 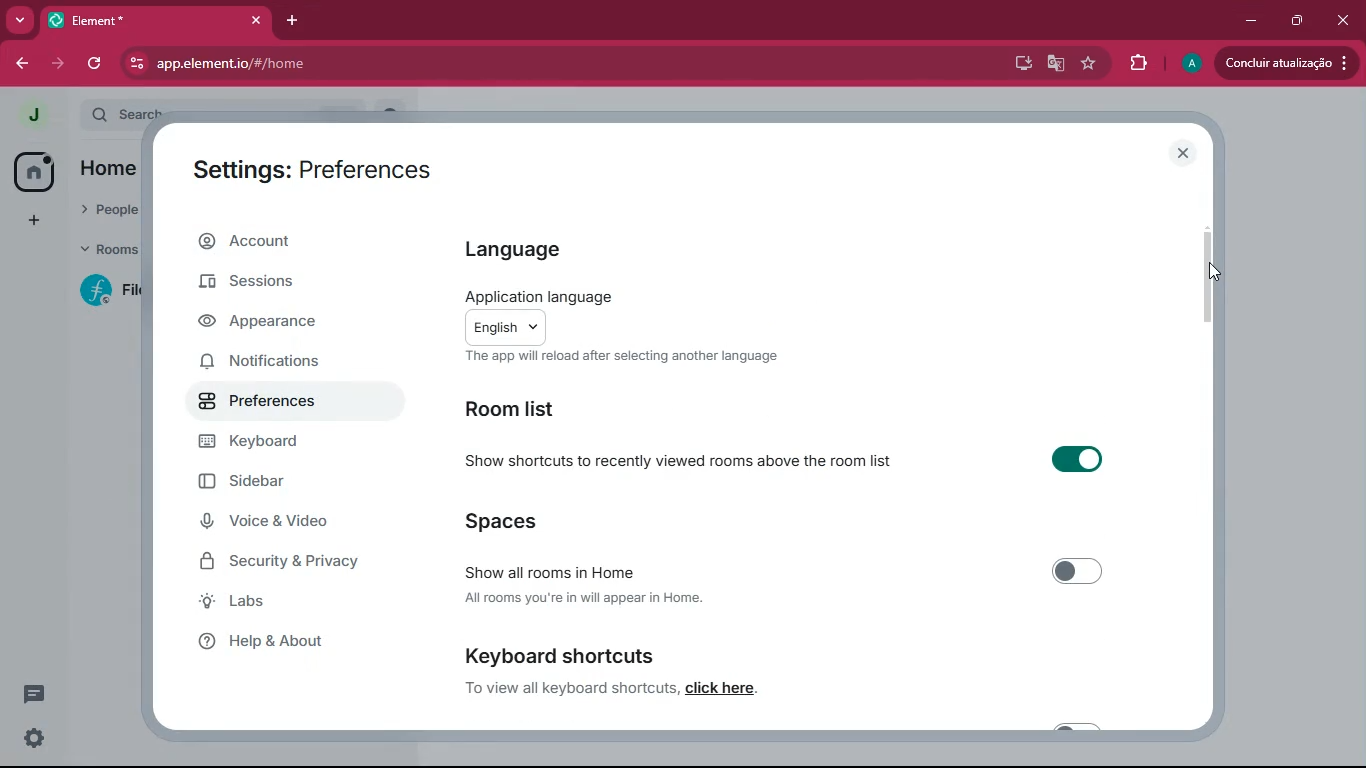 What do you see at coordinates (1284, 62) in the screenshot?
I see `concluir atualizacao` at bounding box center [1284, 62].